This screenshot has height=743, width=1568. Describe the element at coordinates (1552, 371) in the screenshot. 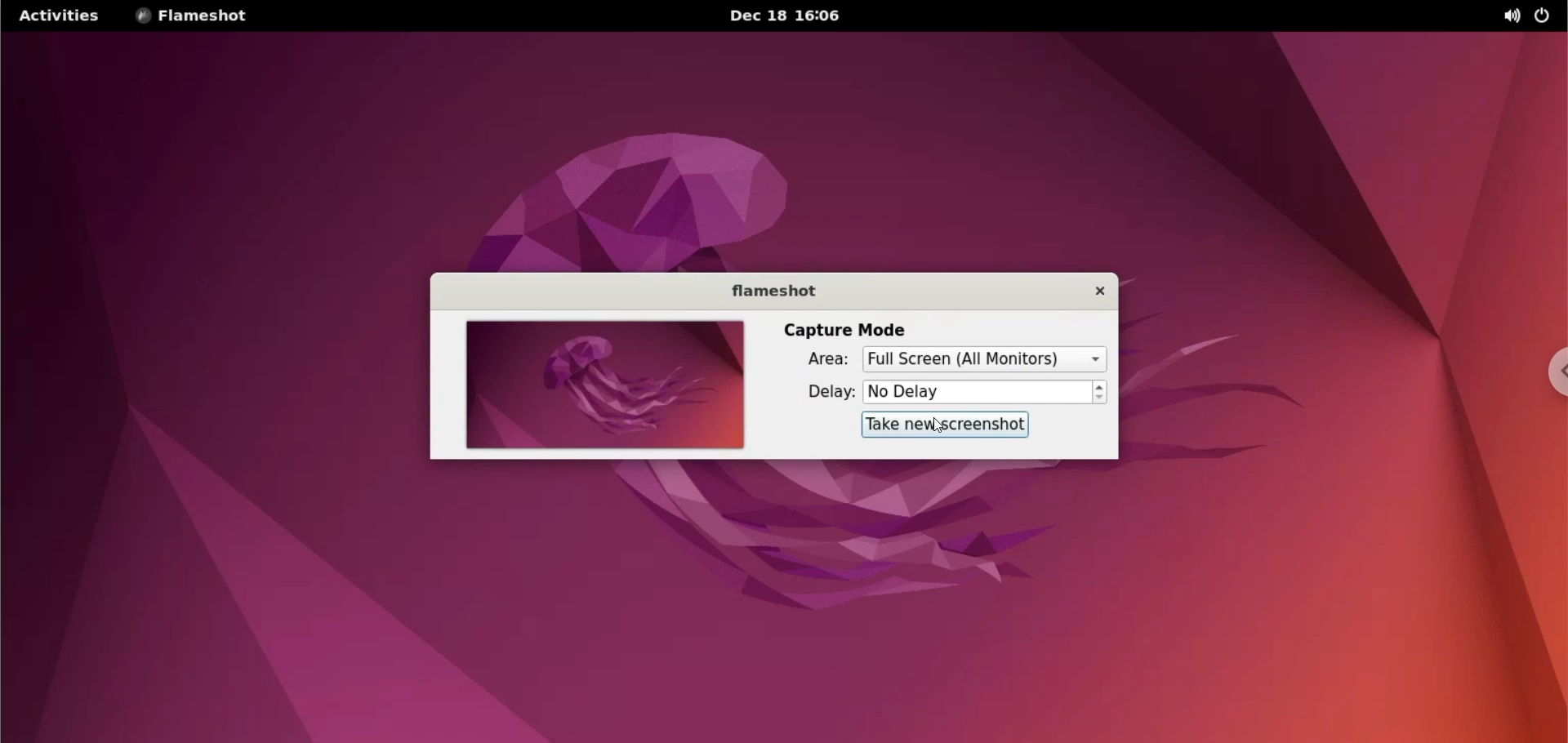

I see `chrome options` at that location.